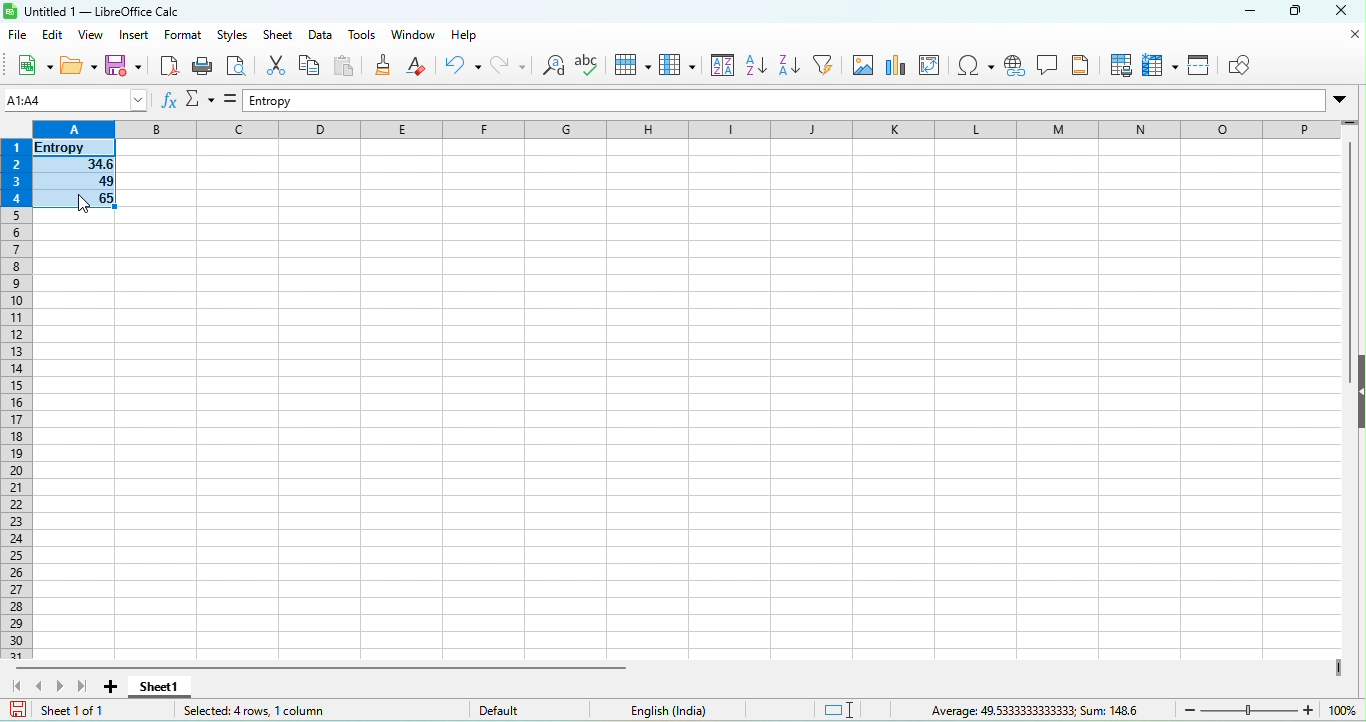 The width and height of the screenshot is (1366, 722). What do you see at coordinates (345, 68) in the screenshot?
I see `paste` at bounding box center [345, 68].